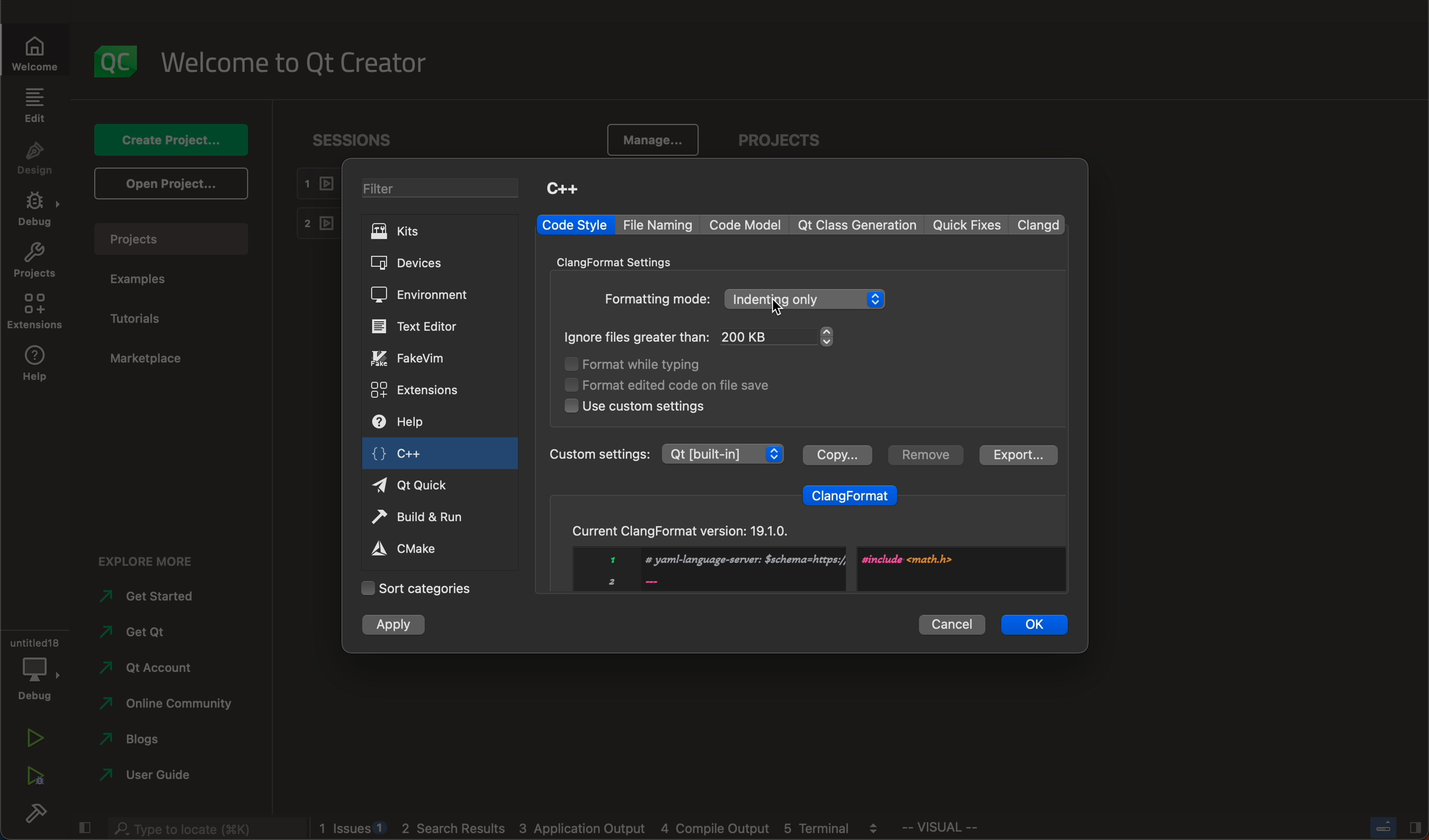 The height and width of the screenshot is (840, 1429). What do you see at coordinates (423, 484) in the screenshot?
I see `qt` at bounding box center [423, 484].